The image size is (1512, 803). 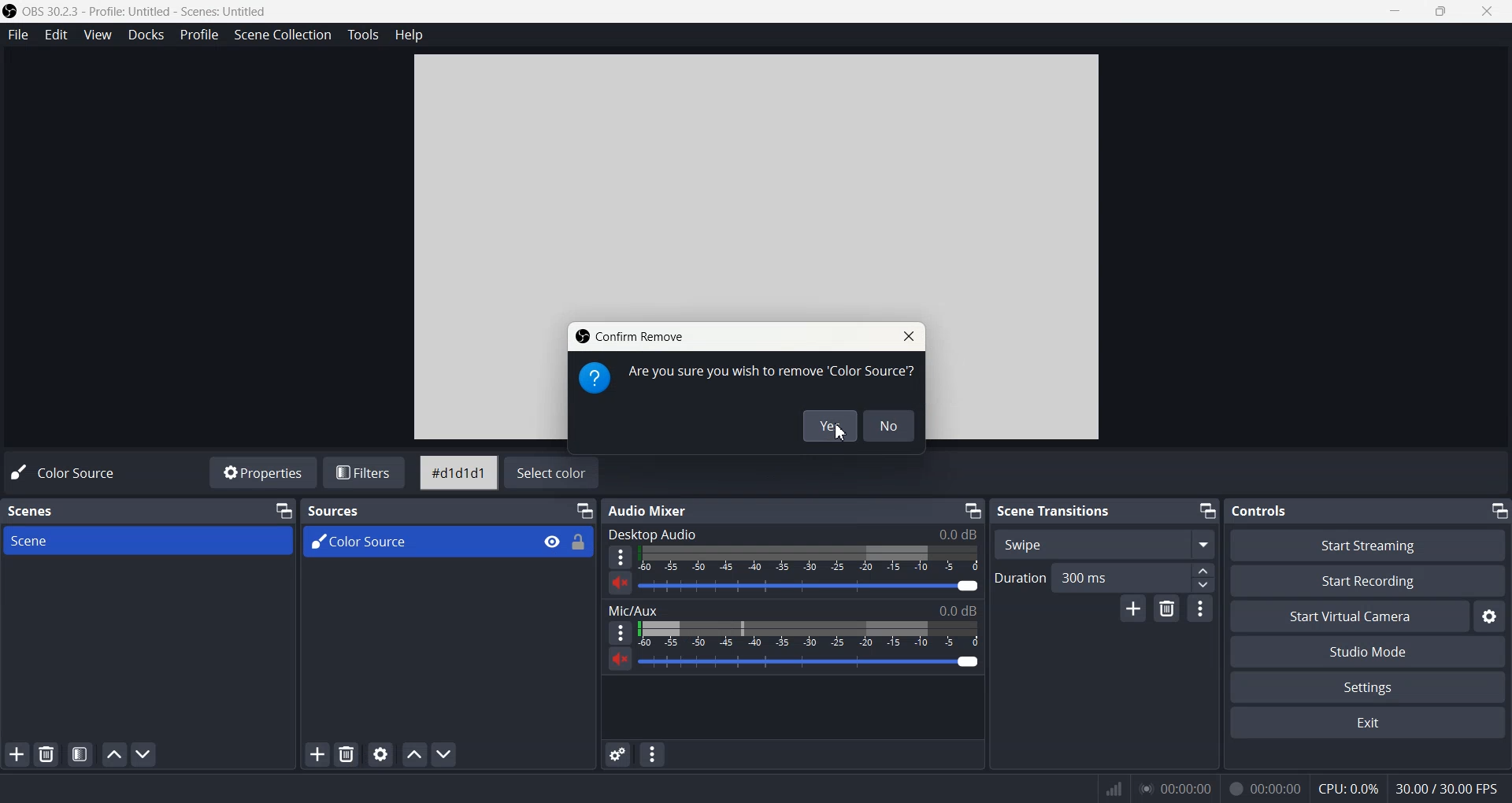 What do you see at coordinates (580, 542) in the screenshot?
I see `Lock` at bounding box center [580, 542].